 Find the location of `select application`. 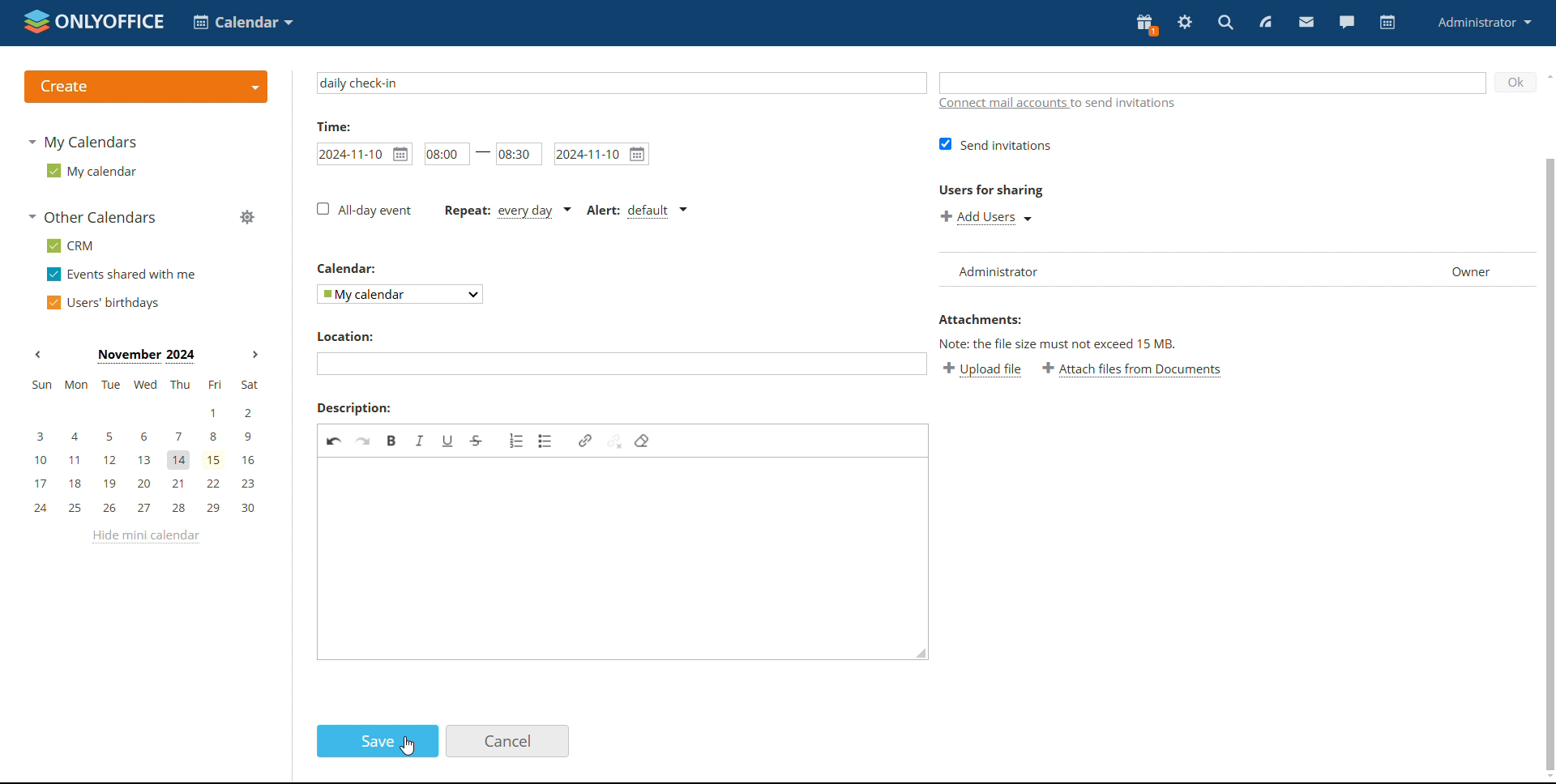

select application is located at coordinates (243, 23).